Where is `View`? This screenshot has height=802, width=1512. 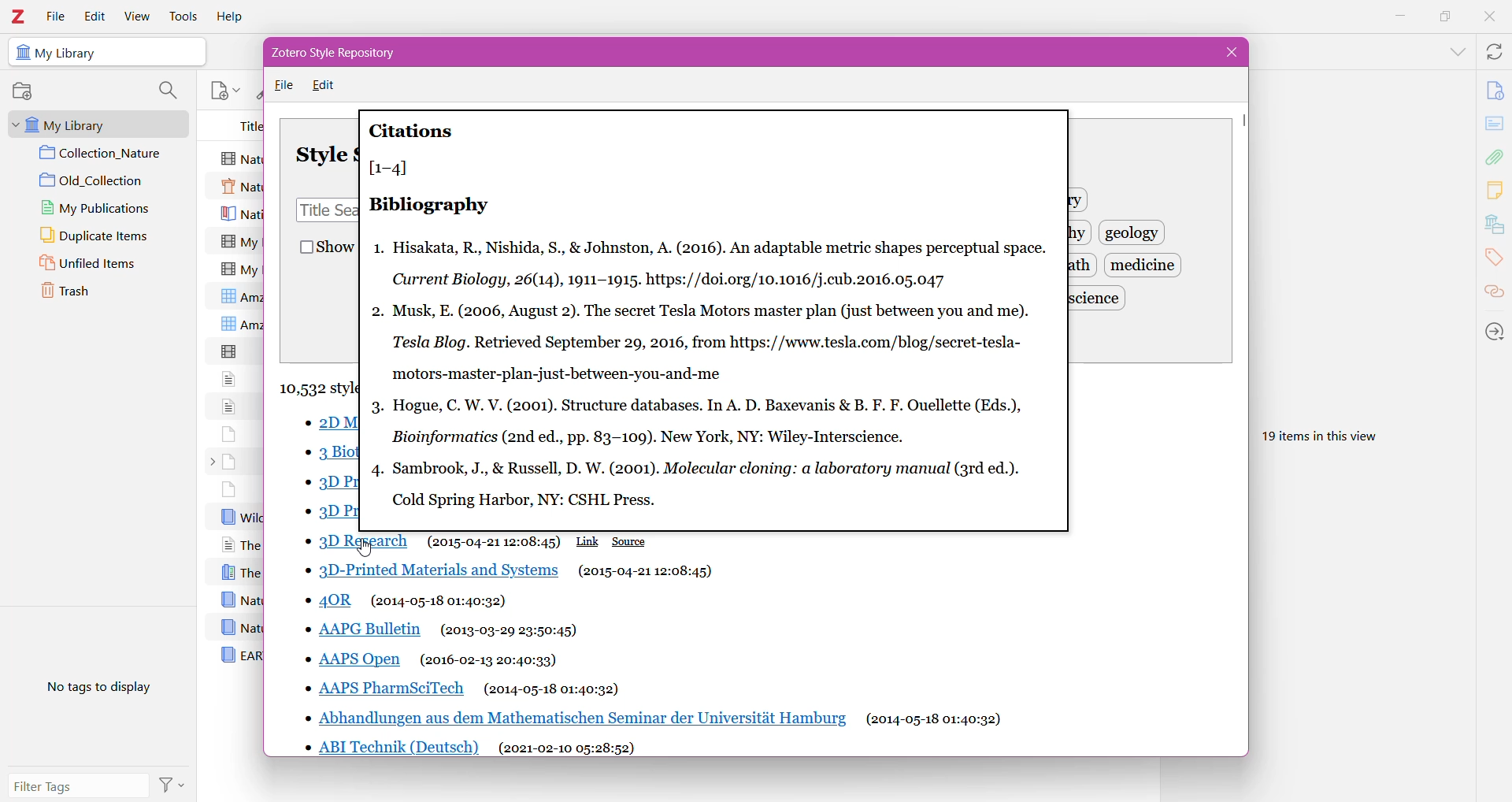 View is located at coordinates (137, 16).